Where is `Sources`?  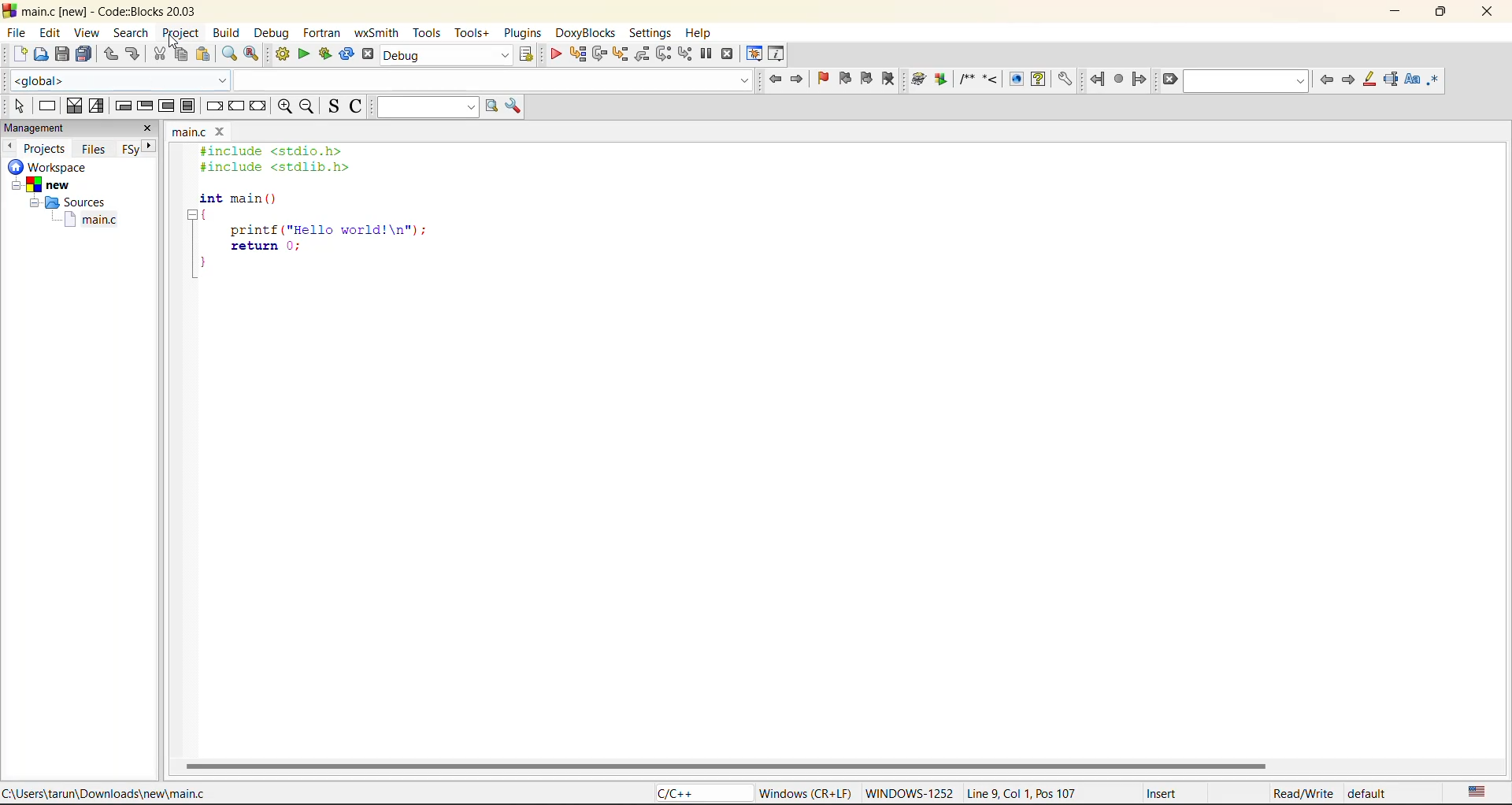 Sources is located at coordinates (65, 202).